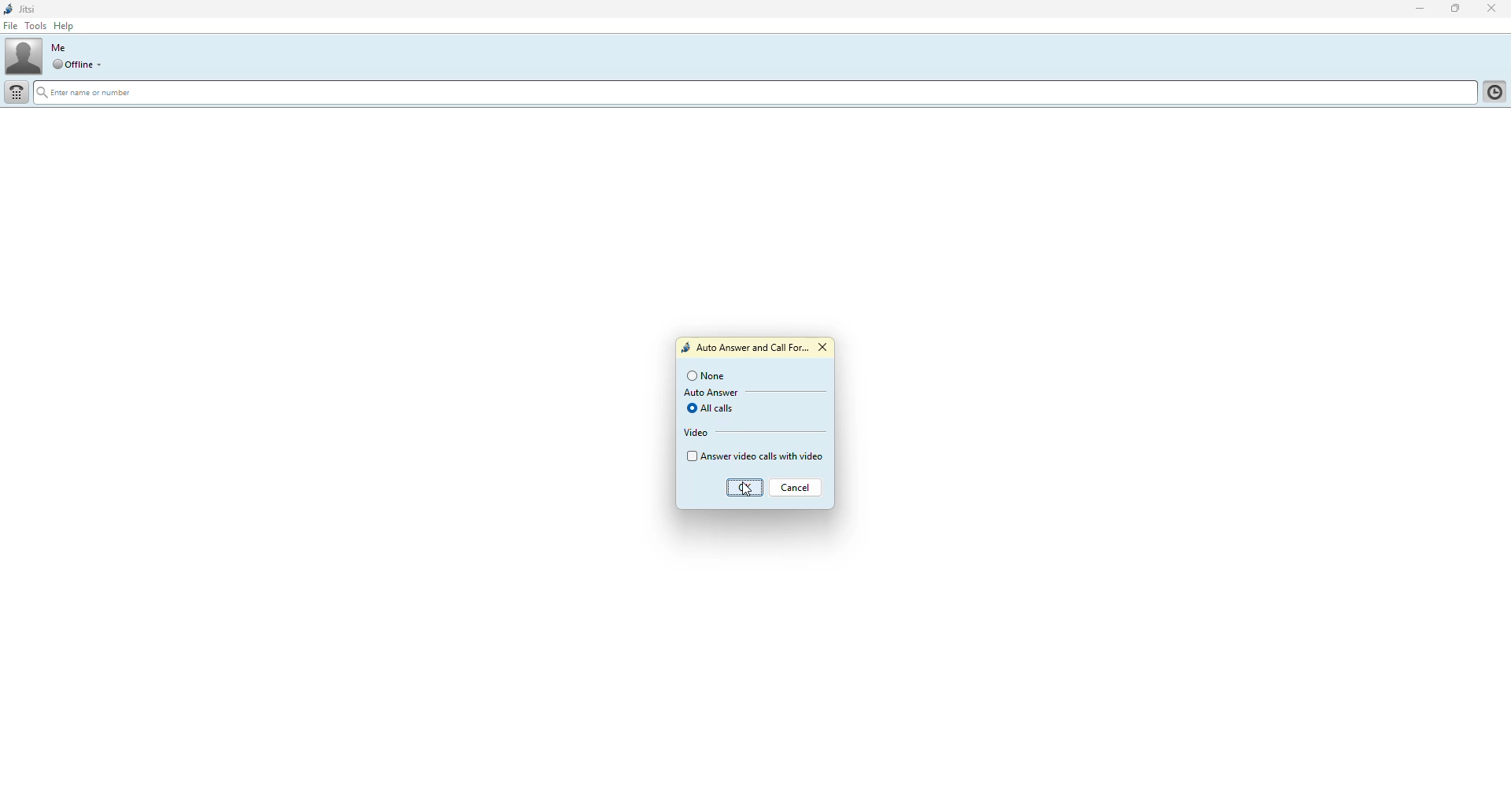  Describe the element at coordinates (796, 489) in the screenshot. I see `cancel` at that location.